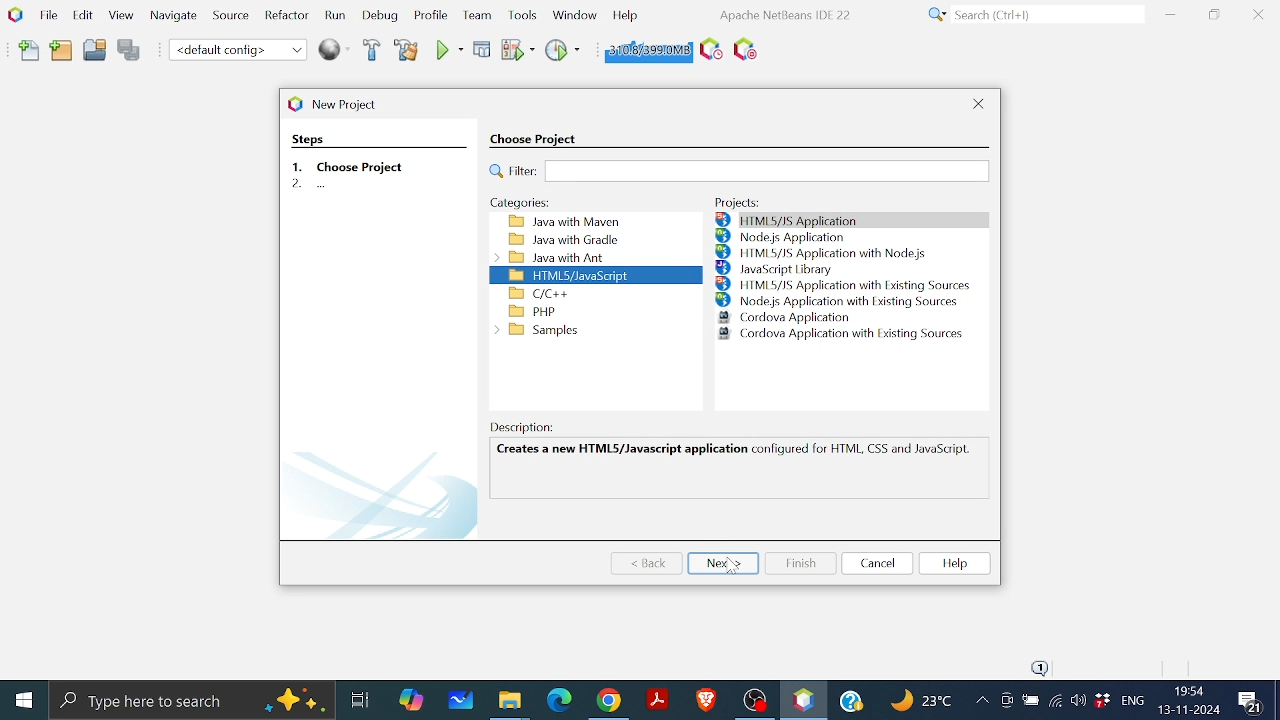 Image resolution: width=1280 pixels, height=720 pixels. Describe the element at coordinates (783, 14) in the screenshot. I see `software information` at that location.